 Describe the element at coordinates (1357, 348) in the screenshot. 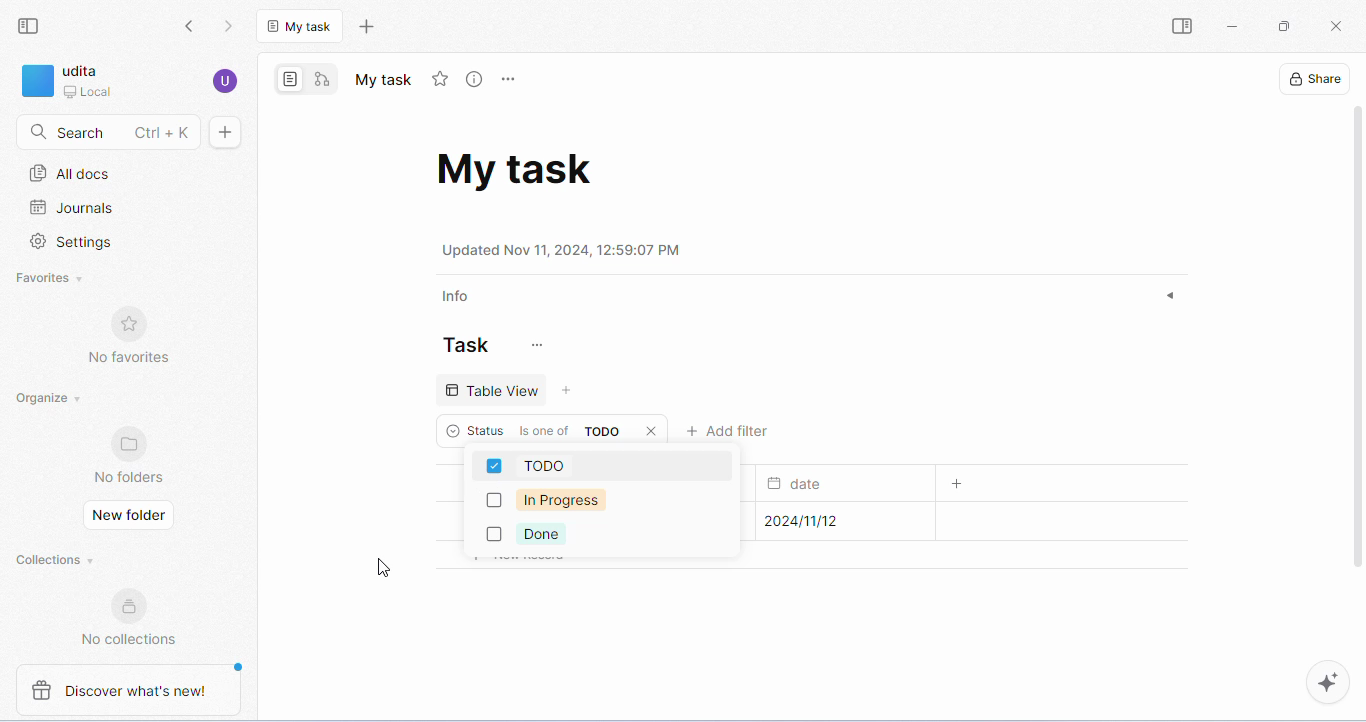

I see `vertical scroll bar` at that location.